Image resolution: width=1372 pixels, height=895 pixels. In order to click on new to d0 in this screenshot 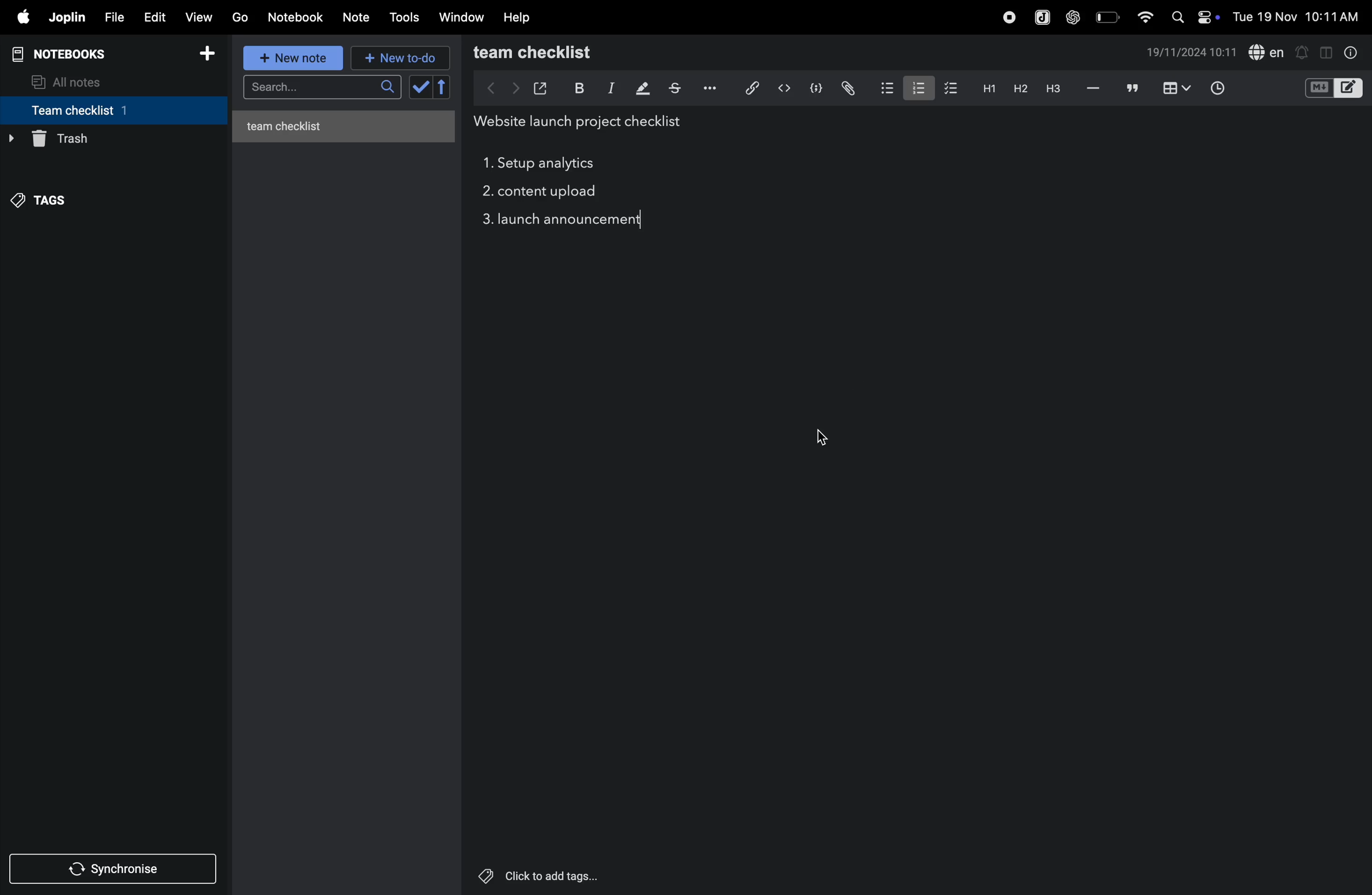, I will do `click(398, 58)`.